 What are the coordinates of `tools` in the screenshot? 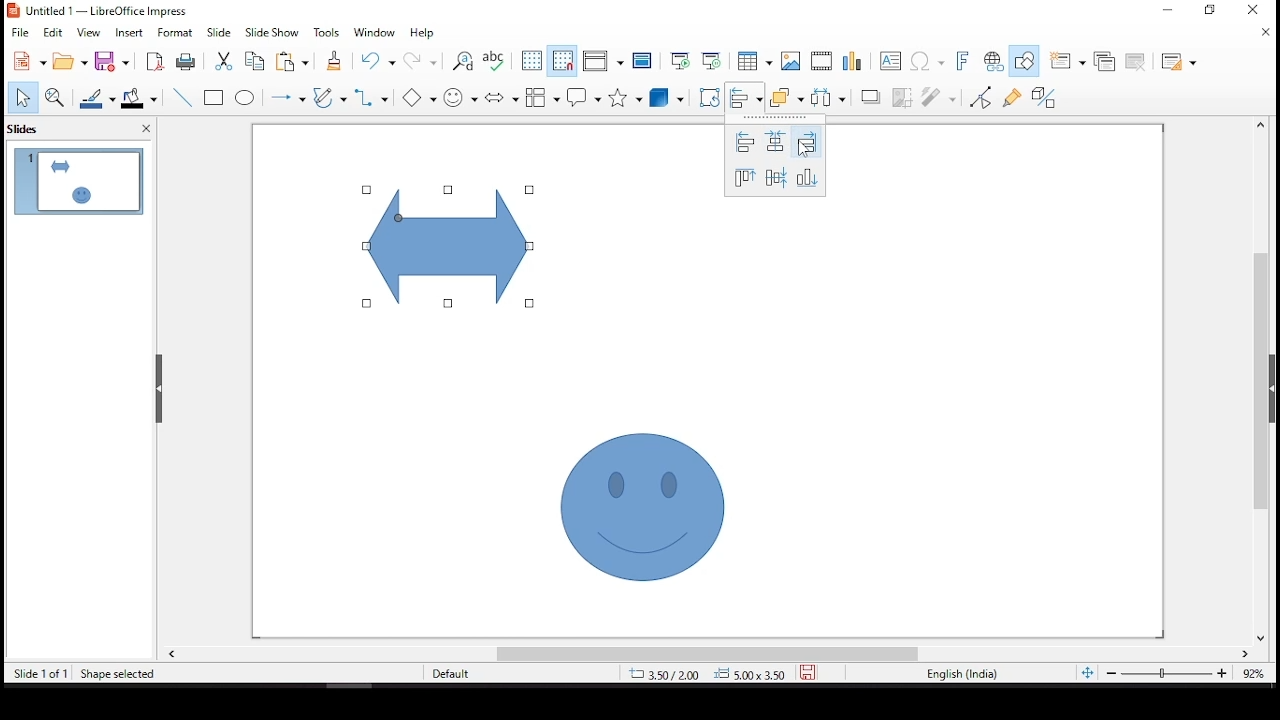 It's located at (327, 33).